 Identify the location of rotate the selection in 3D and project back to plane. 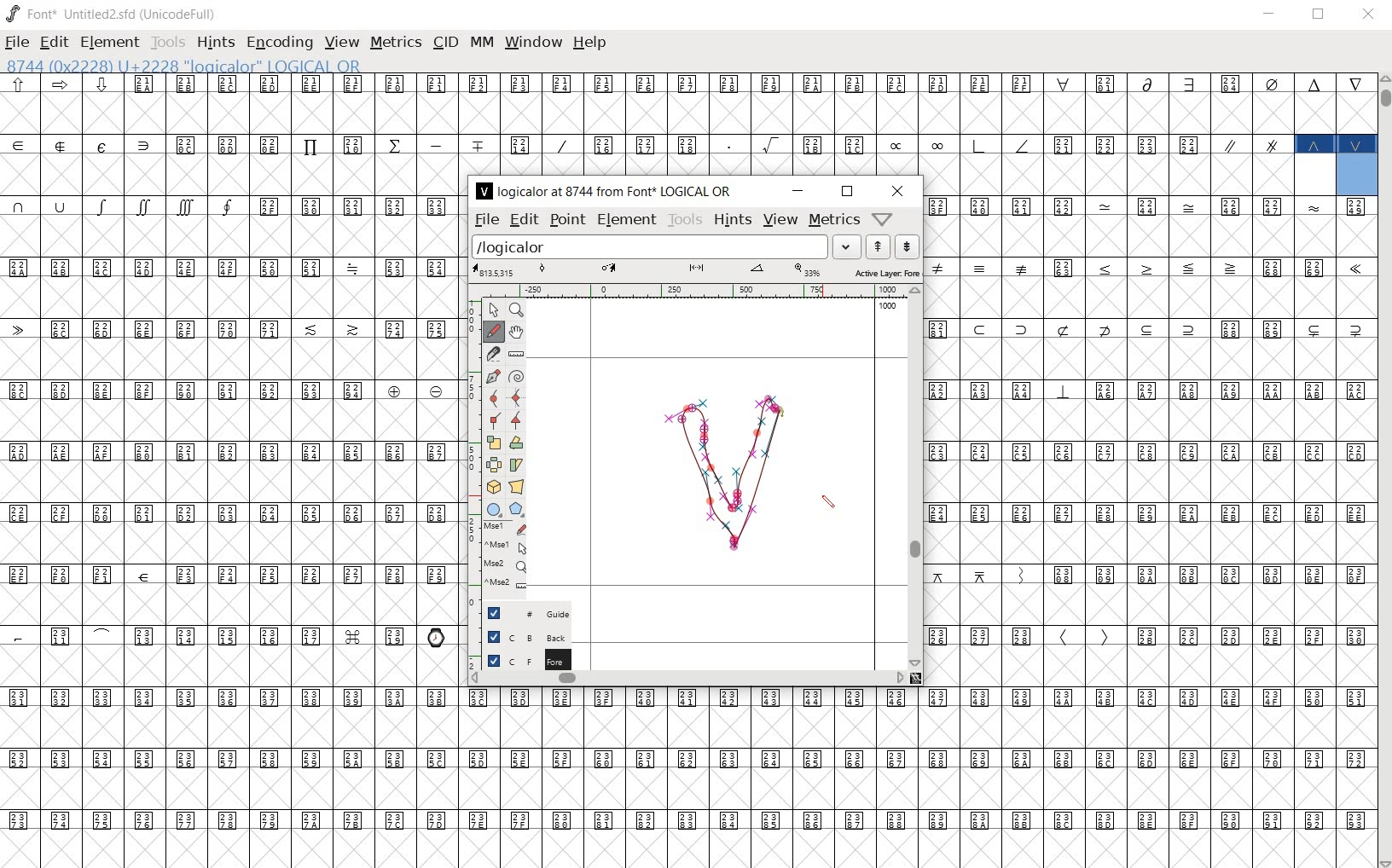
(491, 488).